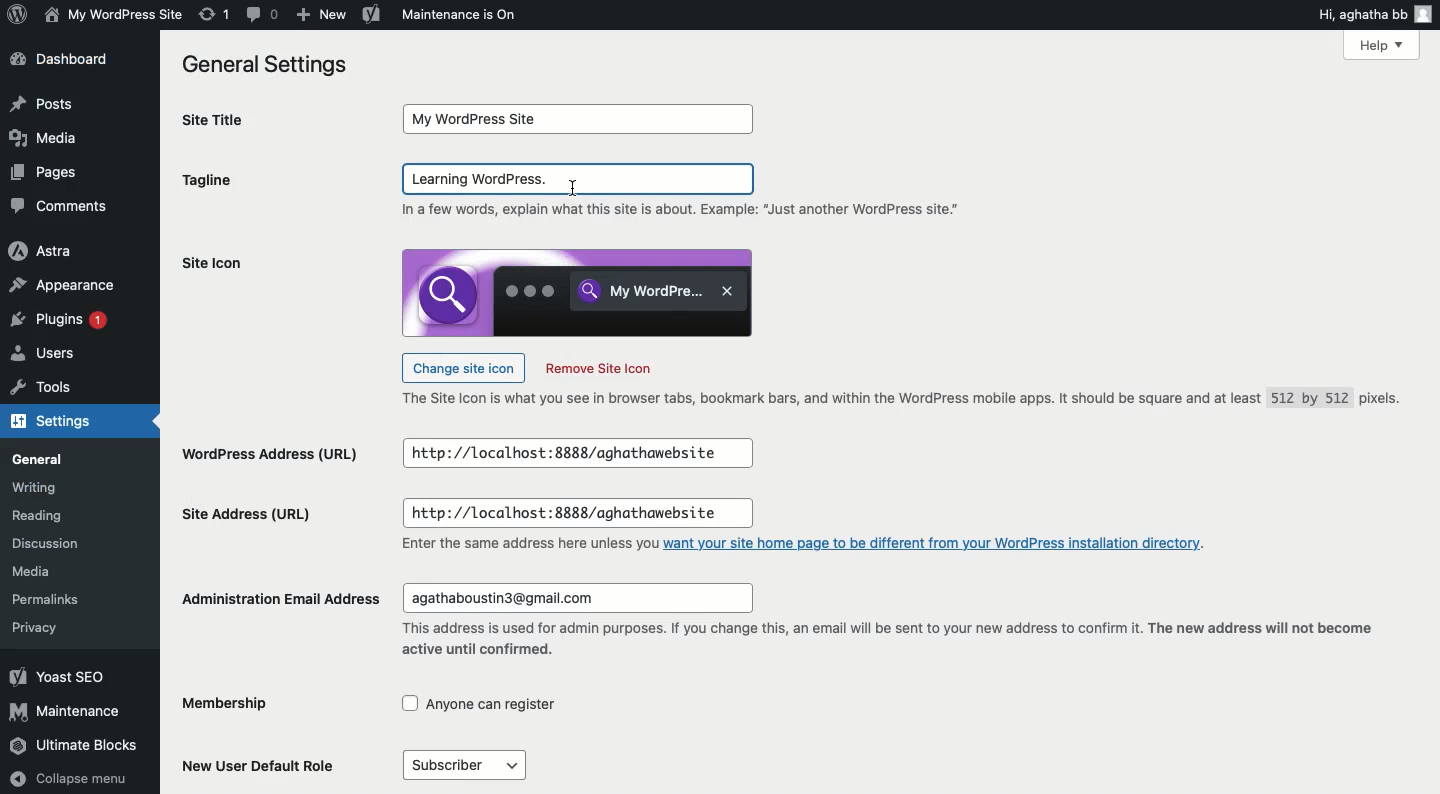  What do you see at coordinates (63, 322) in the screenshot?
I see `Plugins` at bounding box center [63, 322].